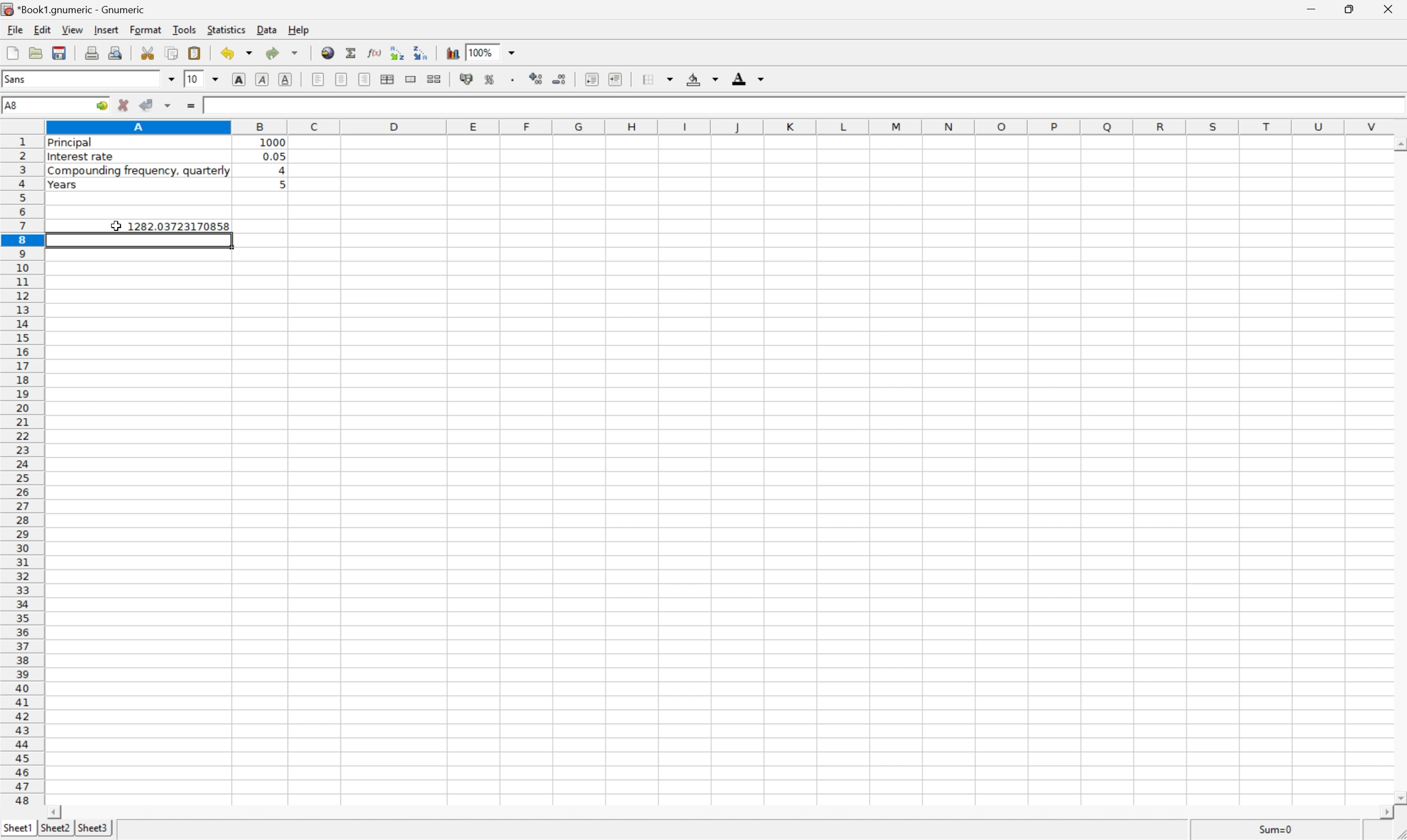 The height and width of the screenshot is (840, 1407). I want to click on sum in current cell, so click(352, 52).